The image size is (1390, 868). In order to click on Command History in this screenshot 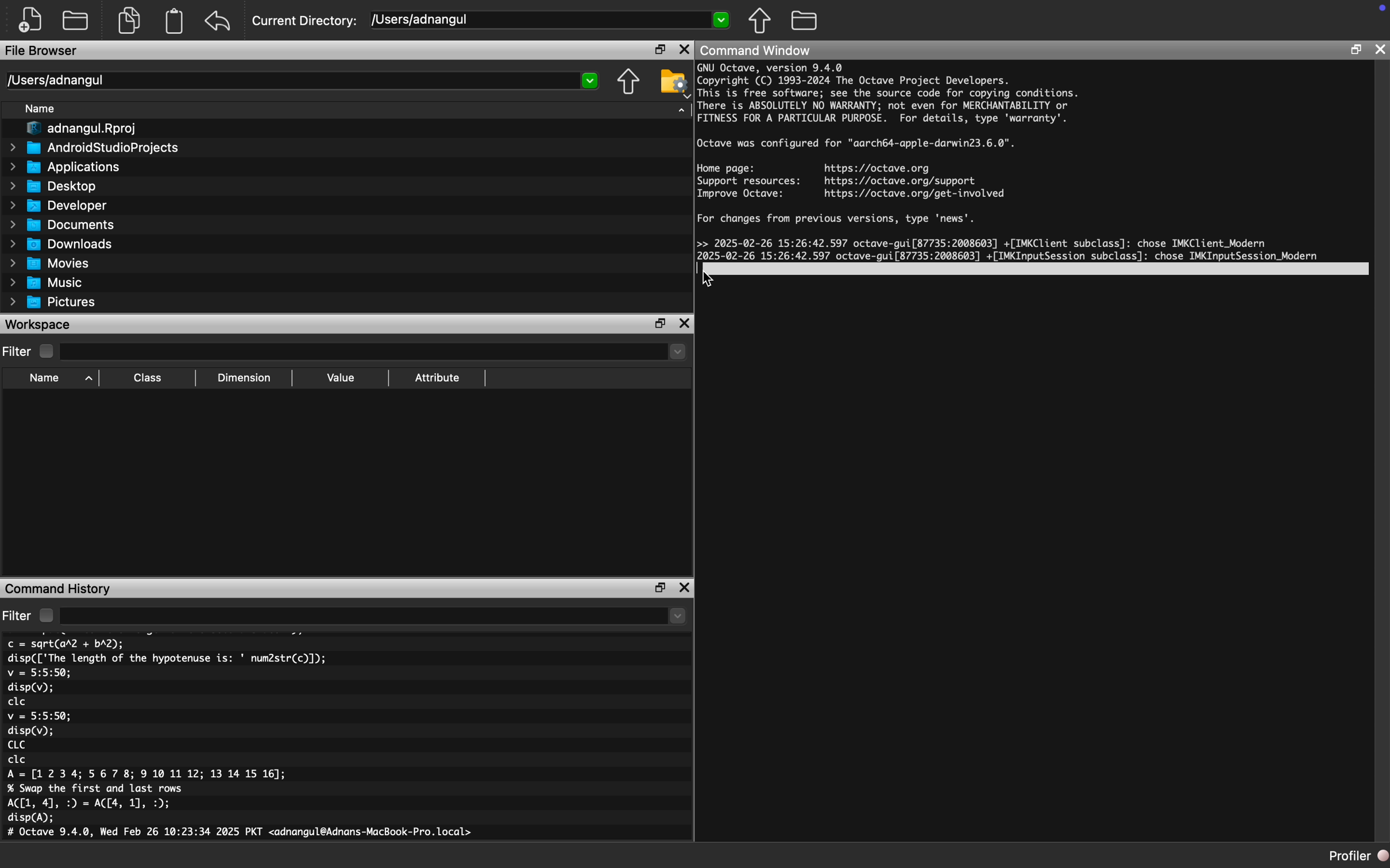, I will do `click(59, 588)`.